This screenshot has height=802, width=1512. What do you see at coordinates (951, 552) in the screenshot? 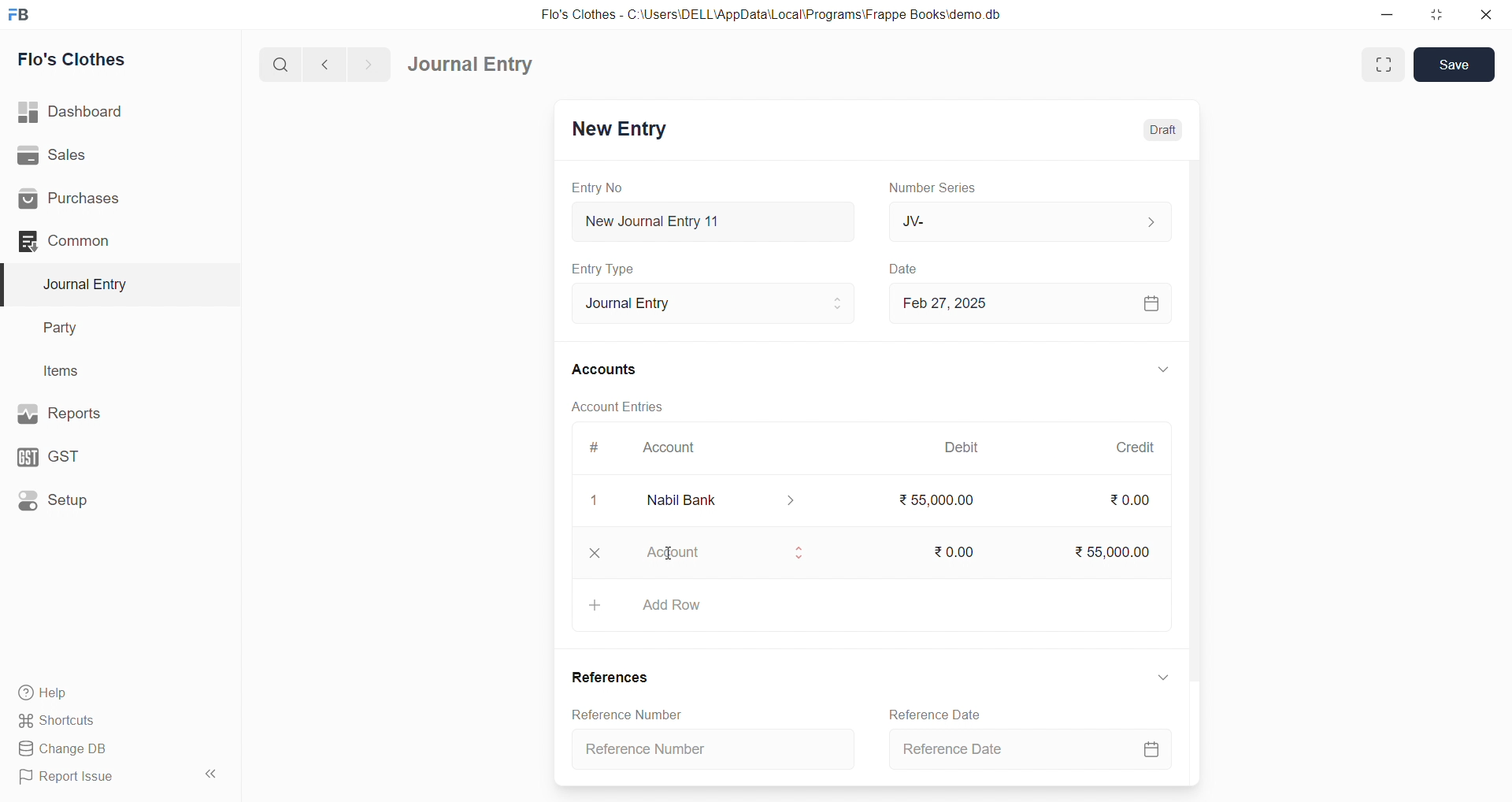
I see `₹0.00` at bounding box center [951, 552].